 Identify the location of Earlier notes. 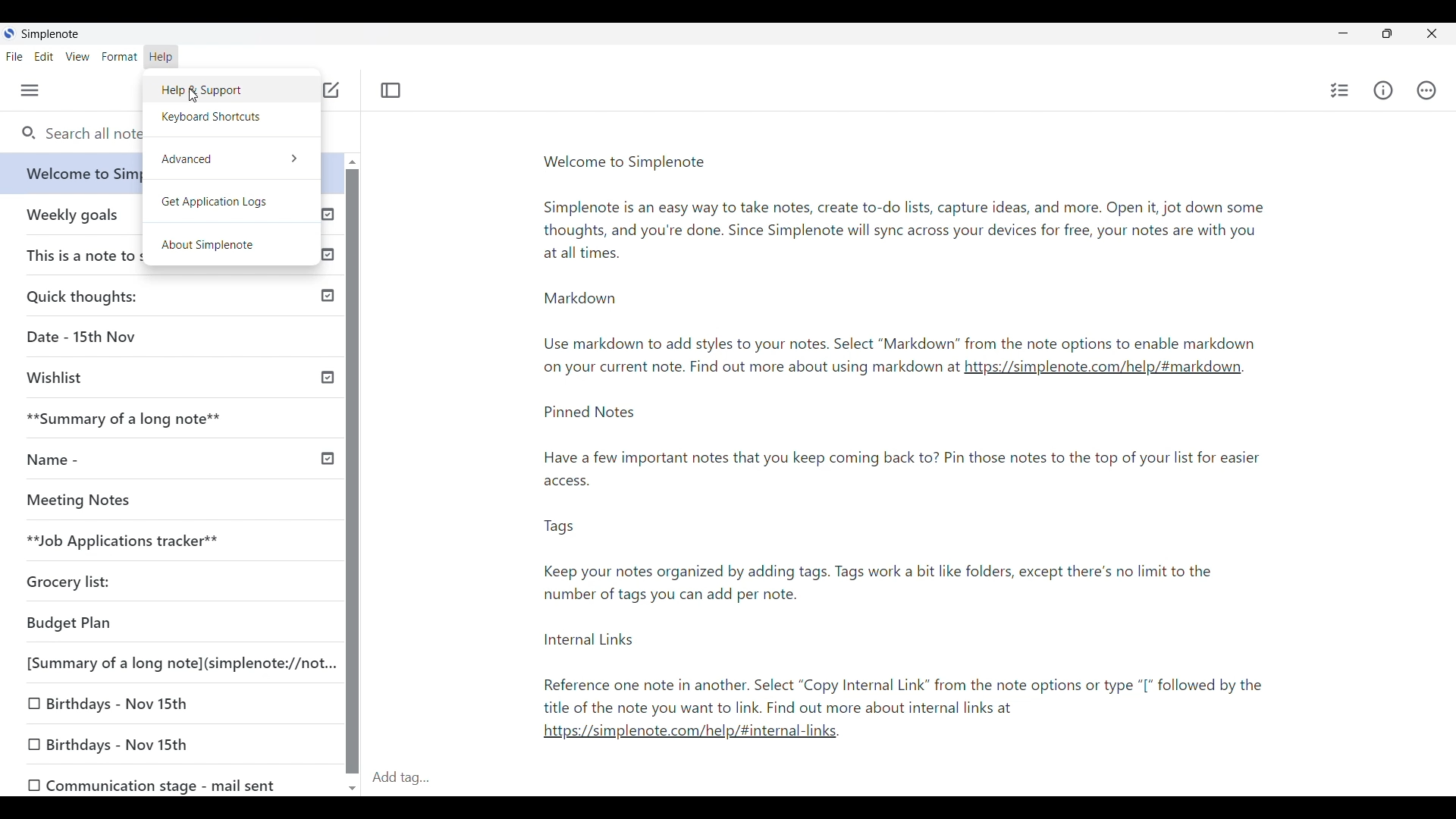
(69, 214).